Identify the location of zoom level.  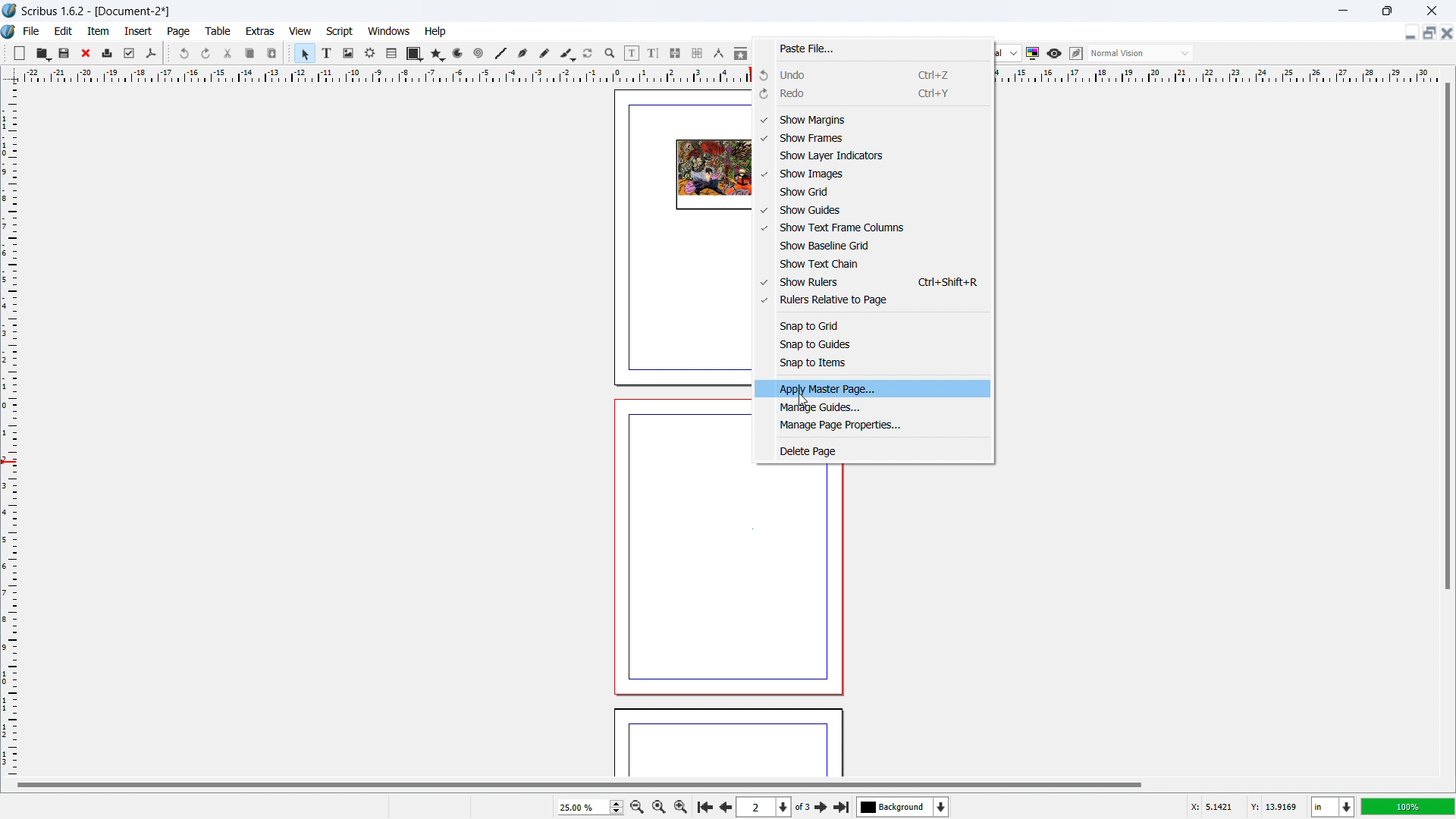
(1408, 806).